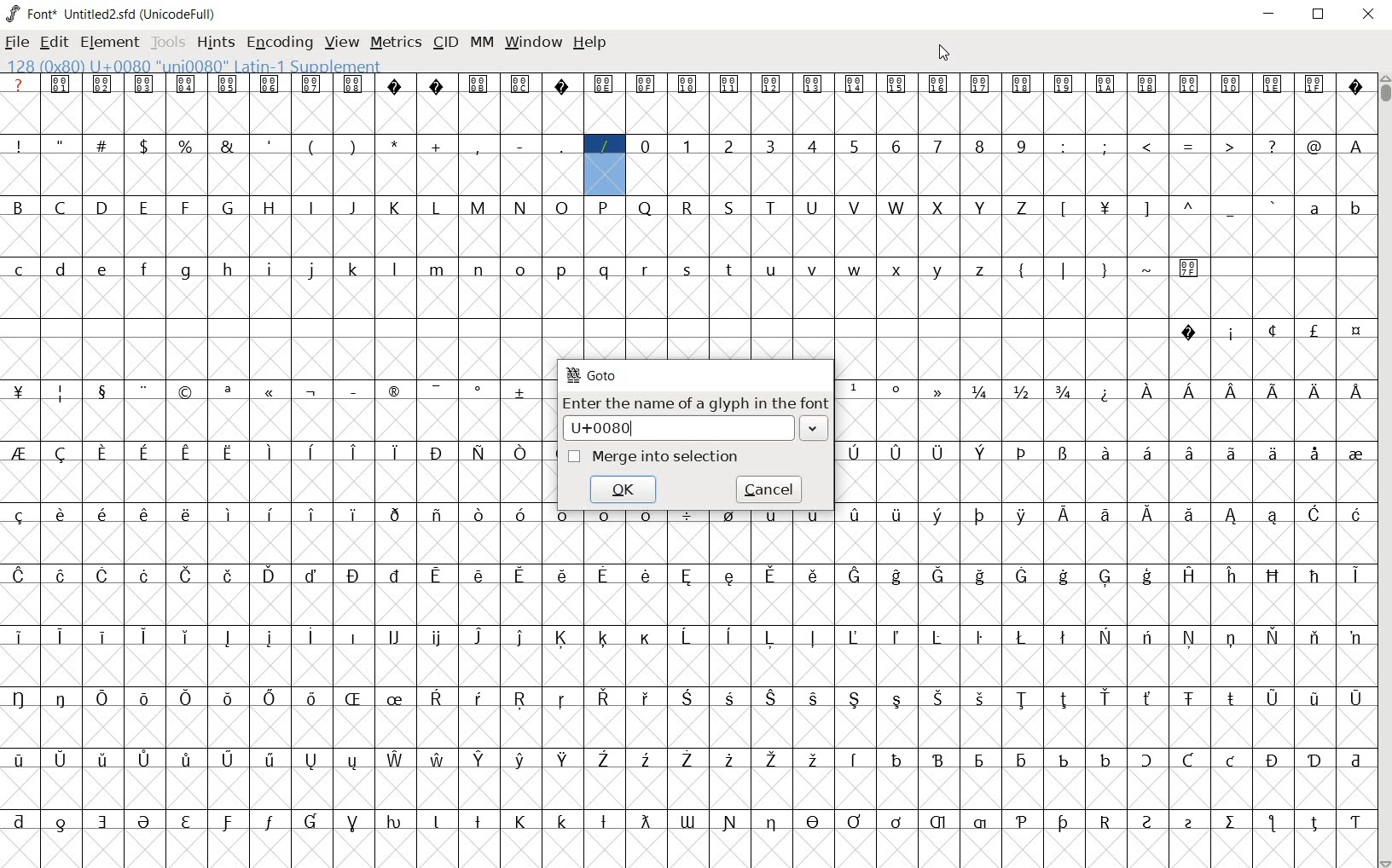 The image size is (1392, 868). Describe the element at coordinates (102, 84) in the screenshot. I see `glyph` at that location.